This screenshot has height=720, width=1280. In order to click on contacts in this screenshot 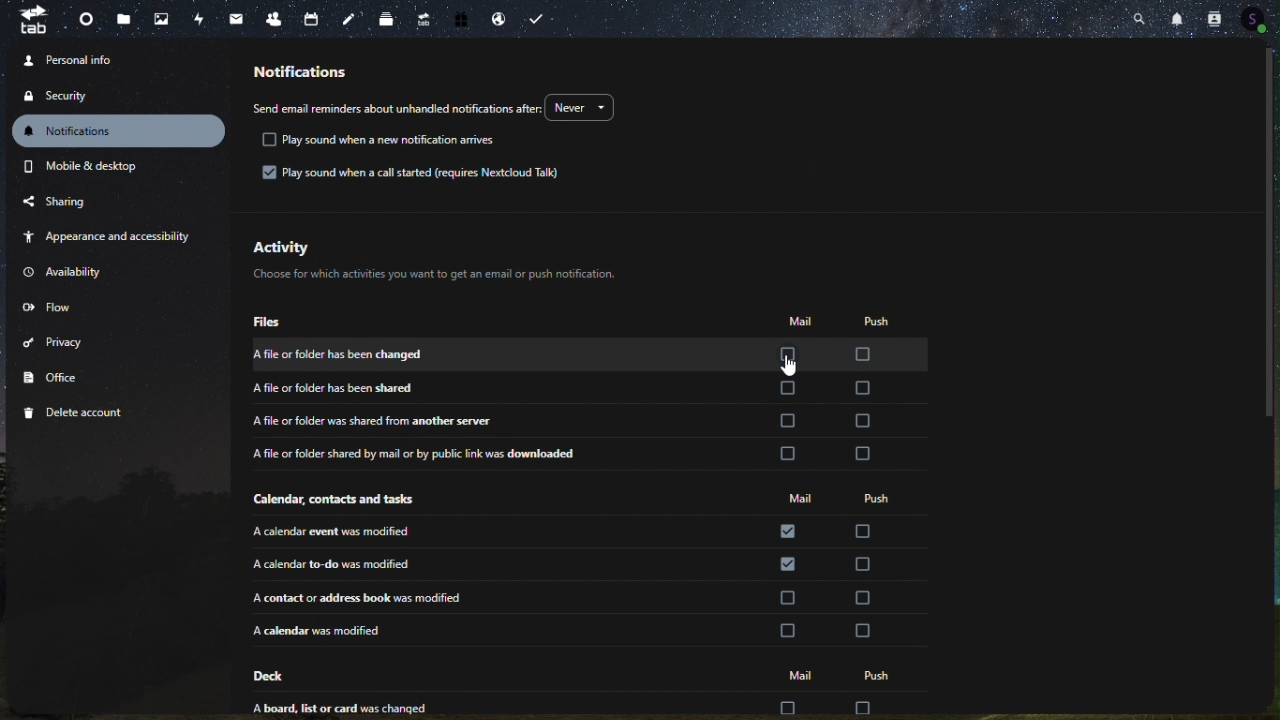, I will do `click(274, 17)`.